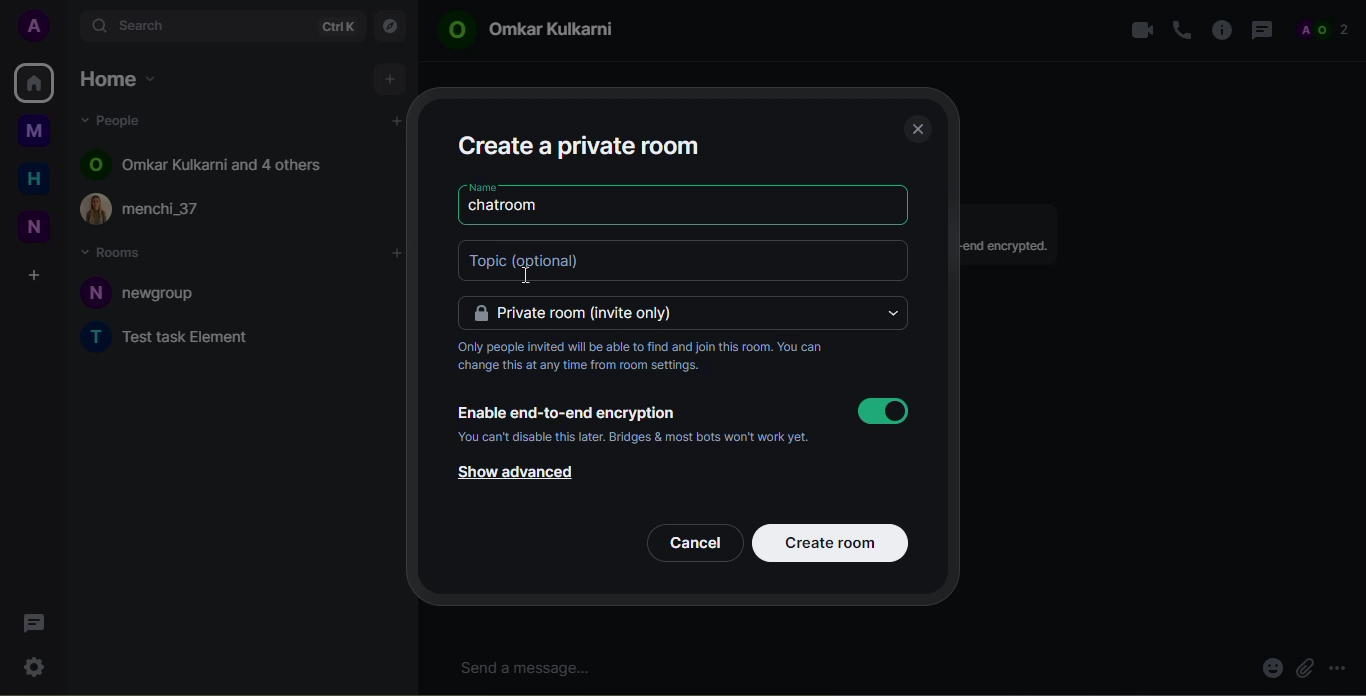 Image resolution: width=1366 pixels, height=696 pixels. I want to click on more, so click(1342, 667).